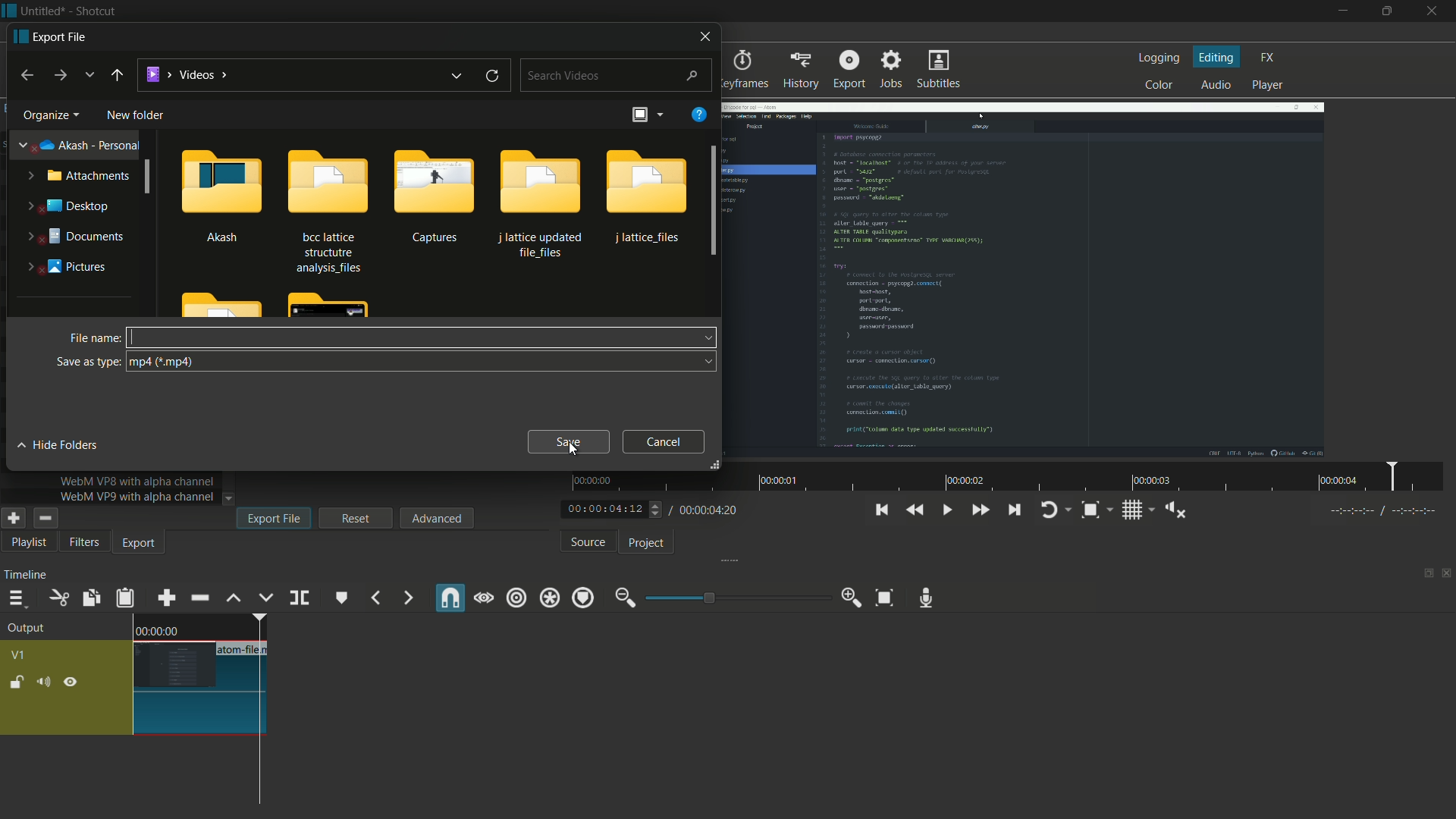  What do you see at coordinates (234, 599) in the screenshot?
I see `lift` at bounding box center [234, 599].